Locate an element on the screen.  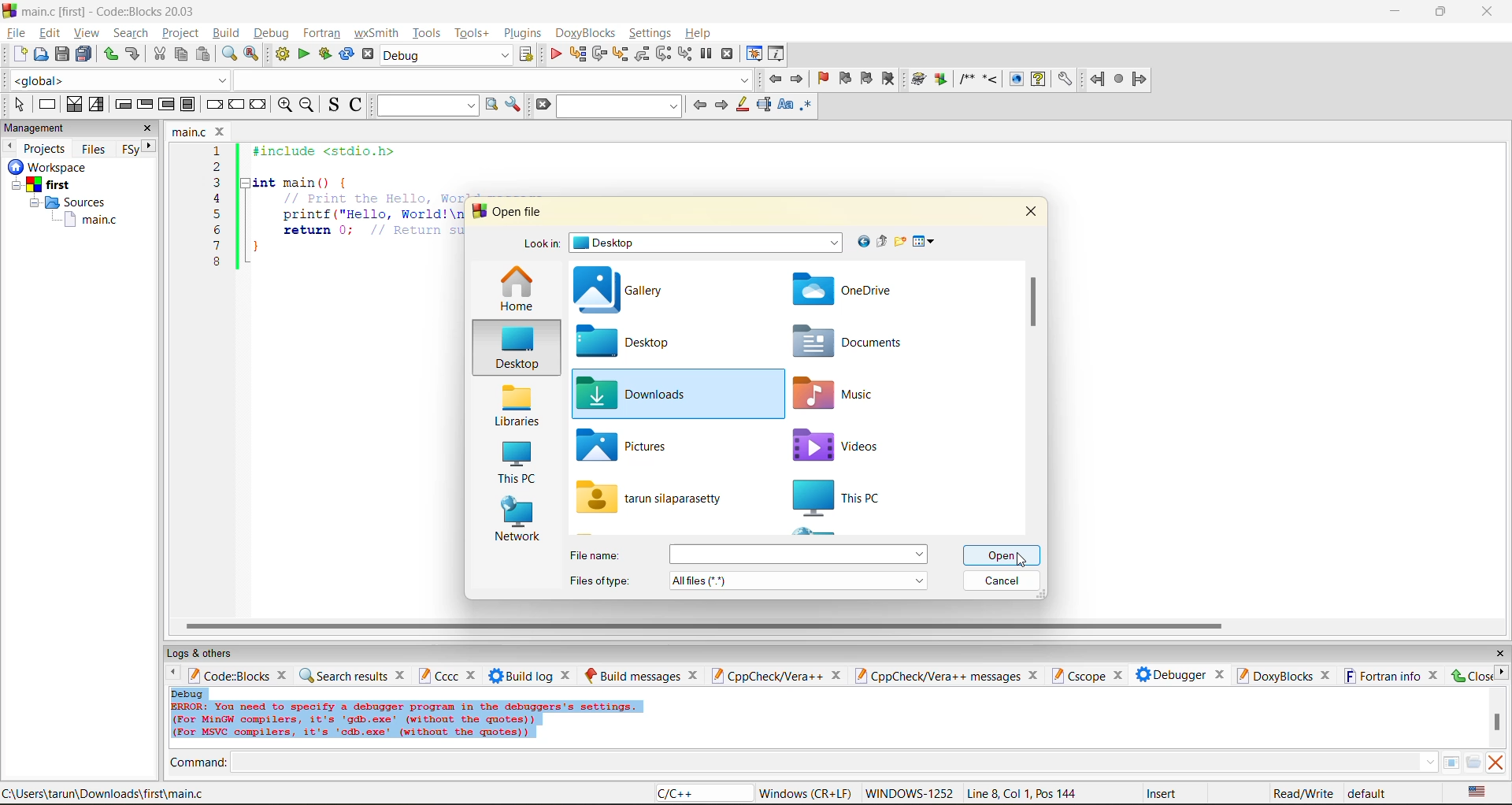
jump forward is located at coordinates (799, 78).